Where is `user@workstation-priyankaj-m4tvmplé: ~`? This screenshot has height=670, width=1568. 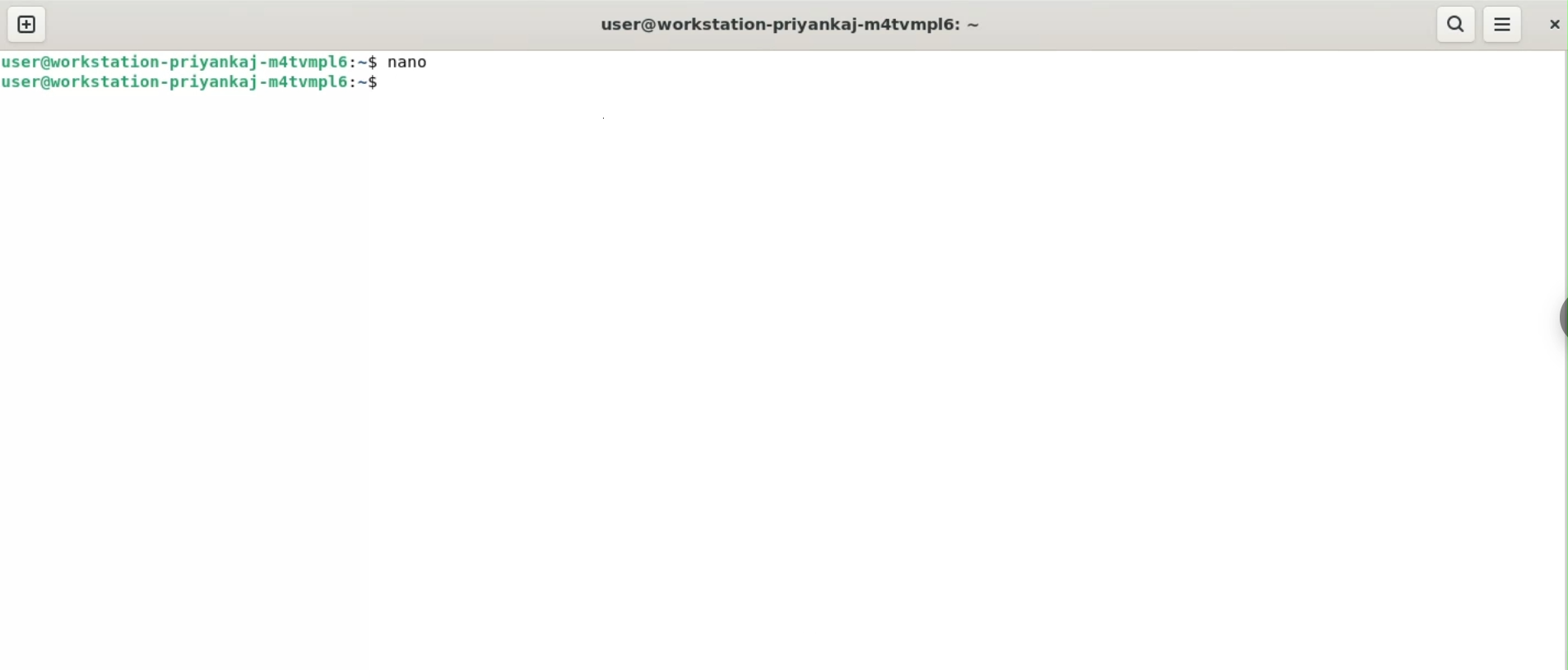
user@workstation-priyankaj-m4tvmplé: ~ is located at coordinates (786, 25).